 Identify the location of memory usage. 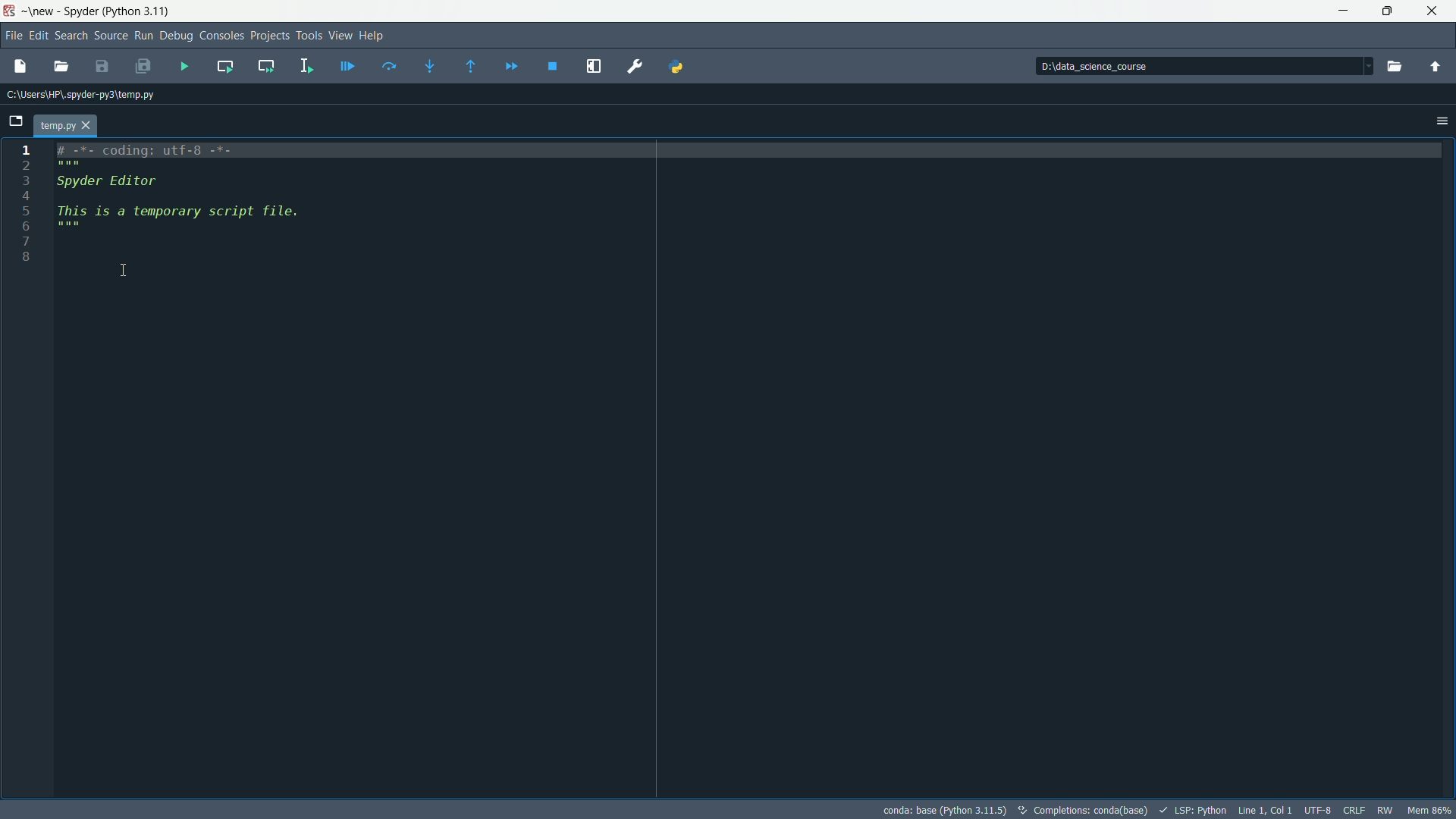
(1429, 810).